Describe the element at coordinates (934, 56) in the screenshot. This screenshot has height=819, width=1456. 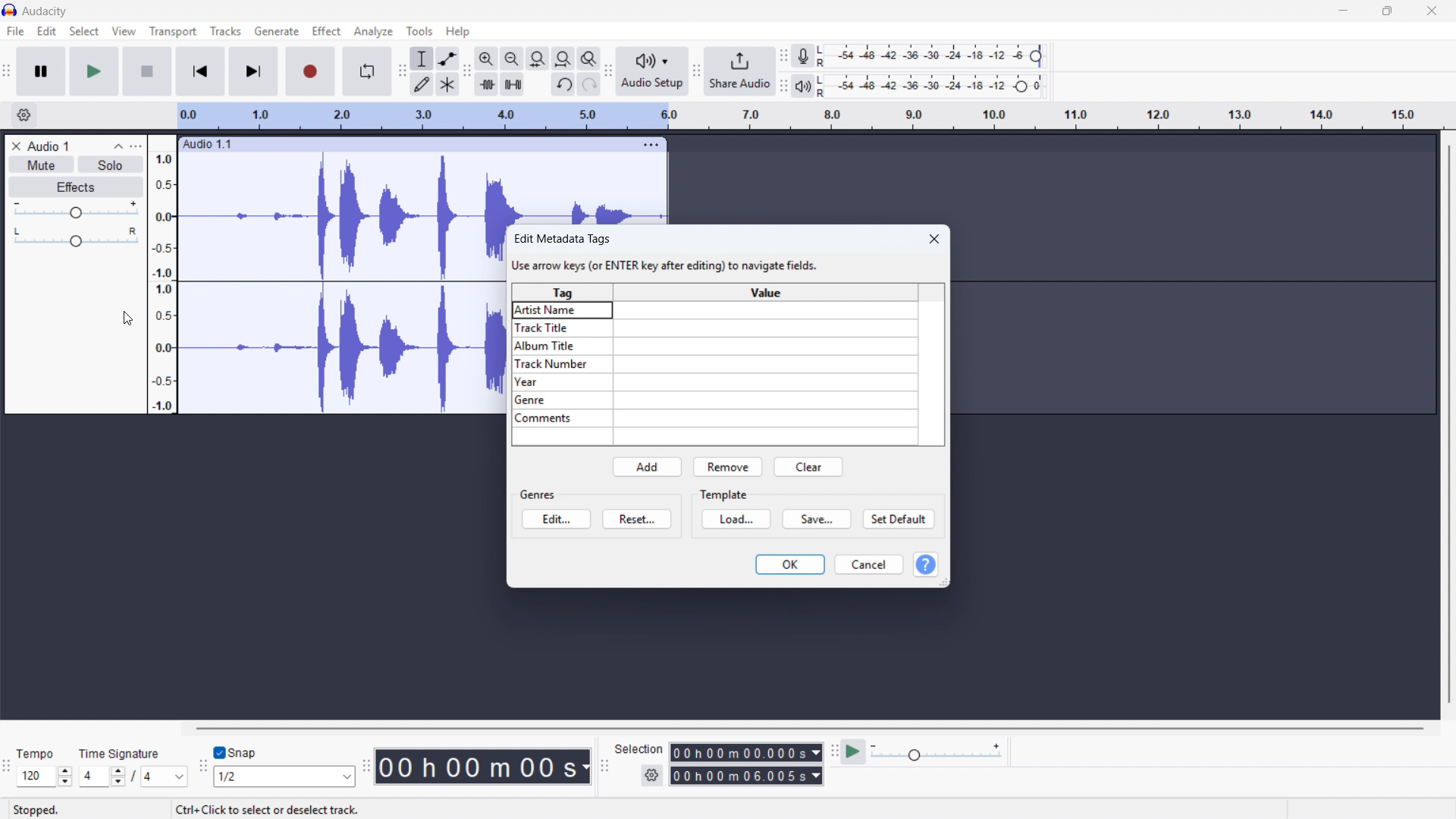
I see `recording level` at that location.